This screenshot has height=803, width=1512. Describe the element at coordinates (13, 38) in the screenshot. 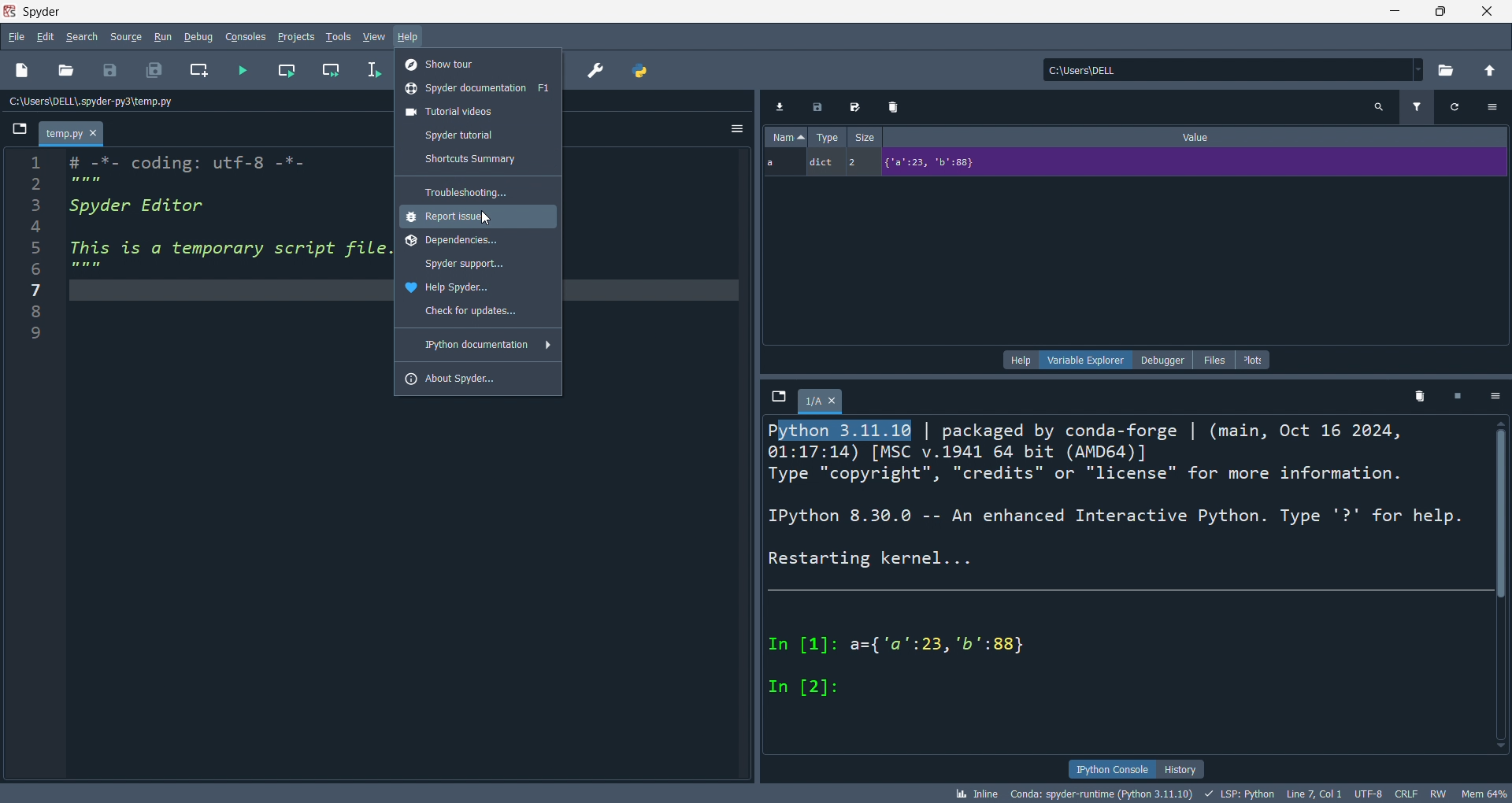

I see `file` at that location.